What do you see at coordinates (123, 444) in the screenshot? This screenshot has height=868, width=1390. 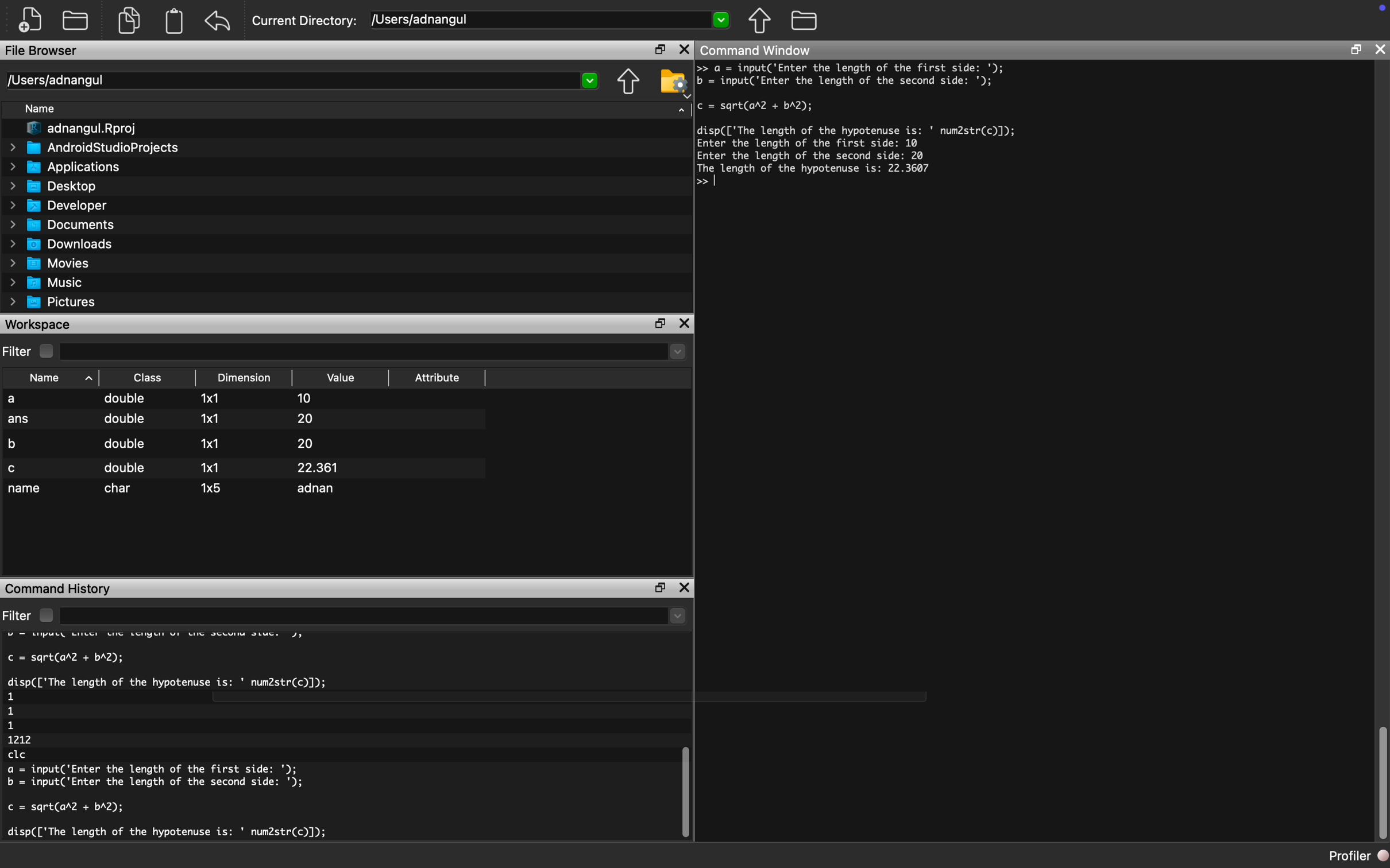 I see `double` at bounding box center [123, 444].